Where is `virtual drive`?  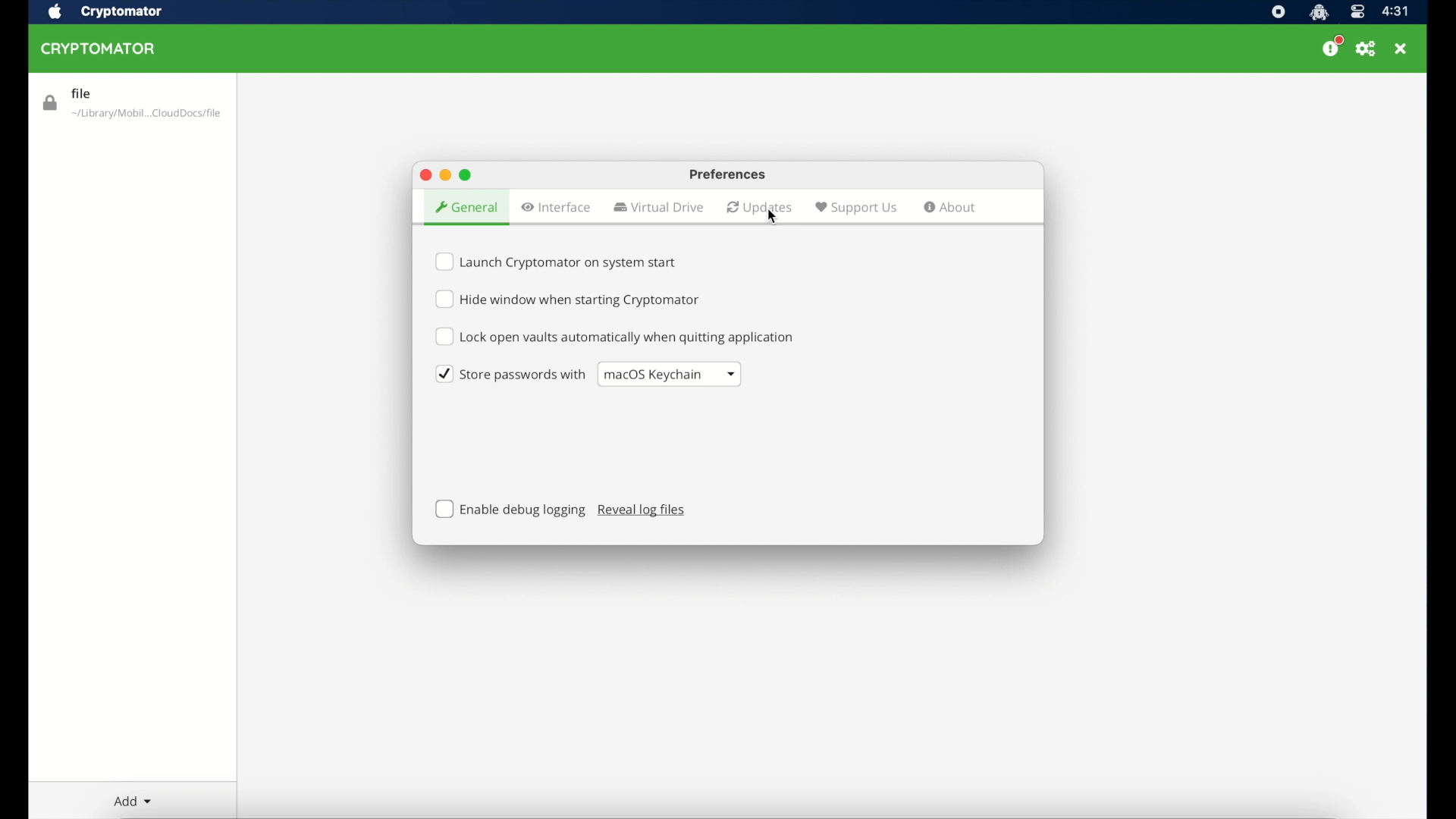
virtual drive is located at coordinates (659, 208).